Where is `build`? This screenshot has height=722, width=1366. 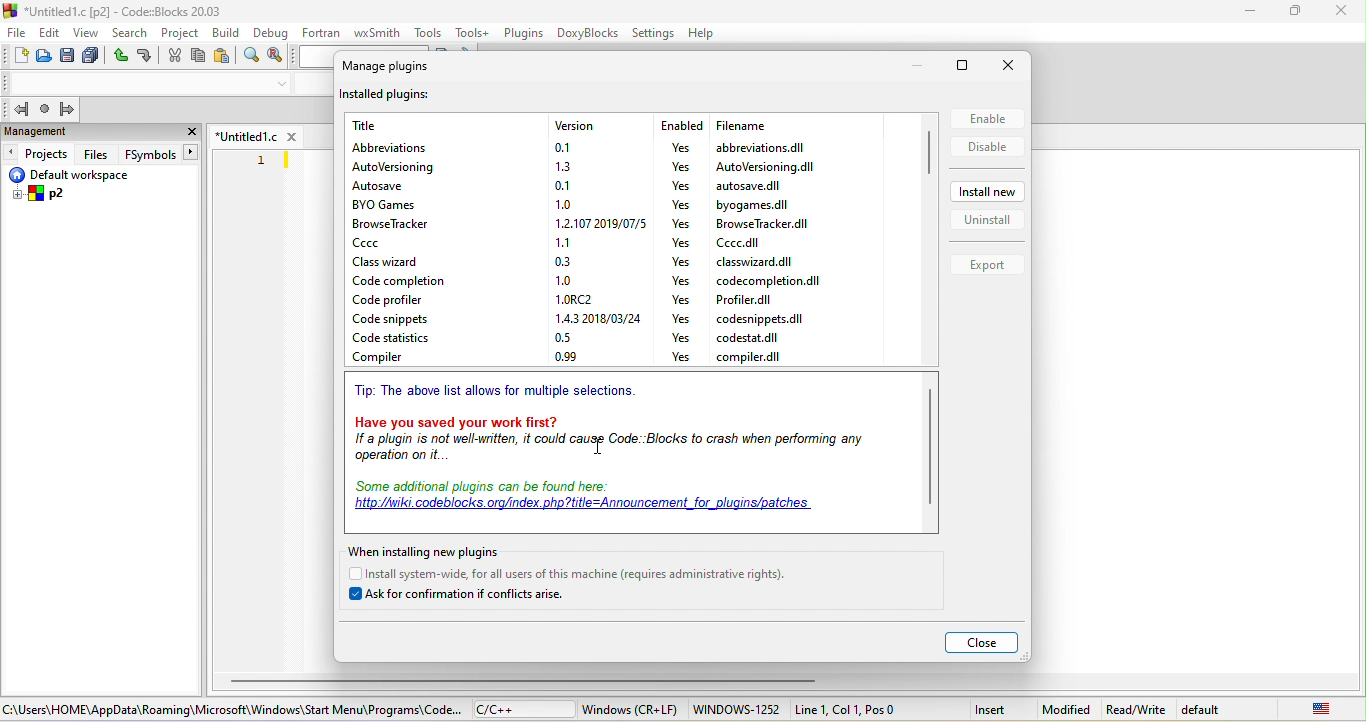
build is located at coordinates (227, 32).